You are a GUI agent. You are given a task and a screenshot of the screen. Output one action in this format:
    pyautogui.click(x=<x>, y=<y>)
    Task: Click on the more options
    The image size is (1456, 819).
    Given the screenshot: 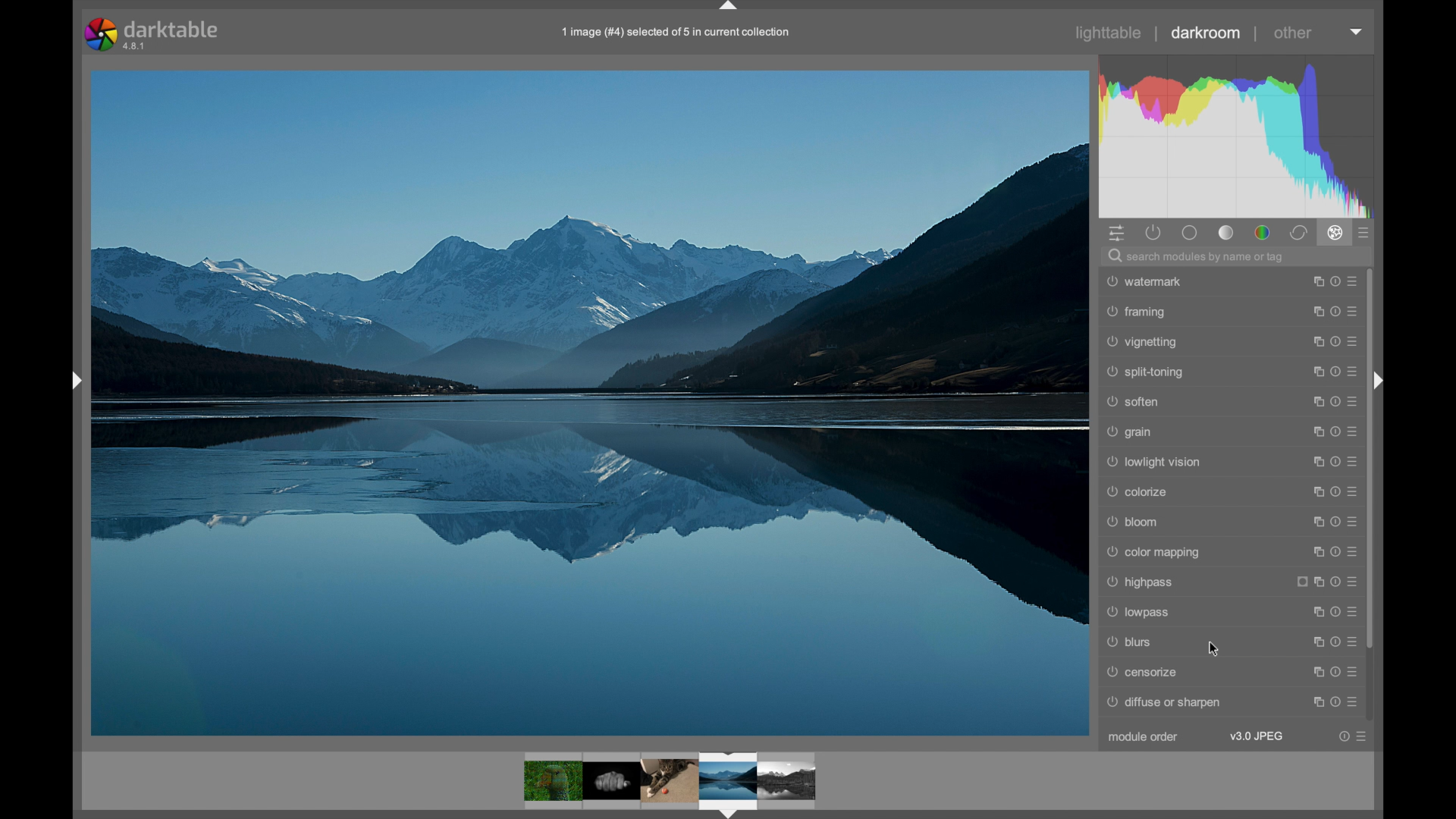 What is the action you would take?
    pyautogui.click(x=1352, y=522)
    